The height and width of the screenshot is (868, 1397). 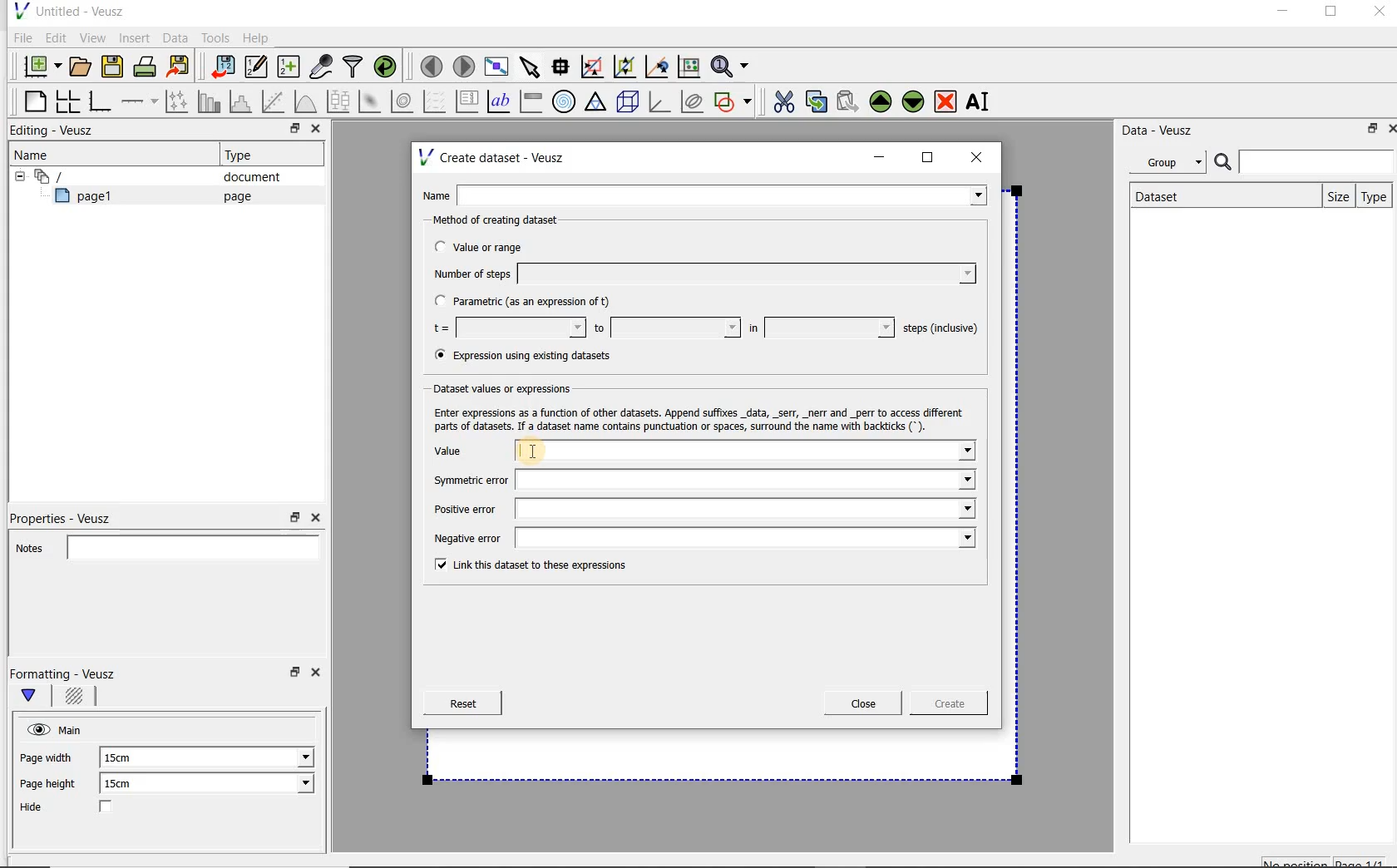 What do you see at coordinates (468, 101) in the screenshot?
I see `plot key` at bounding box center [468, 101].